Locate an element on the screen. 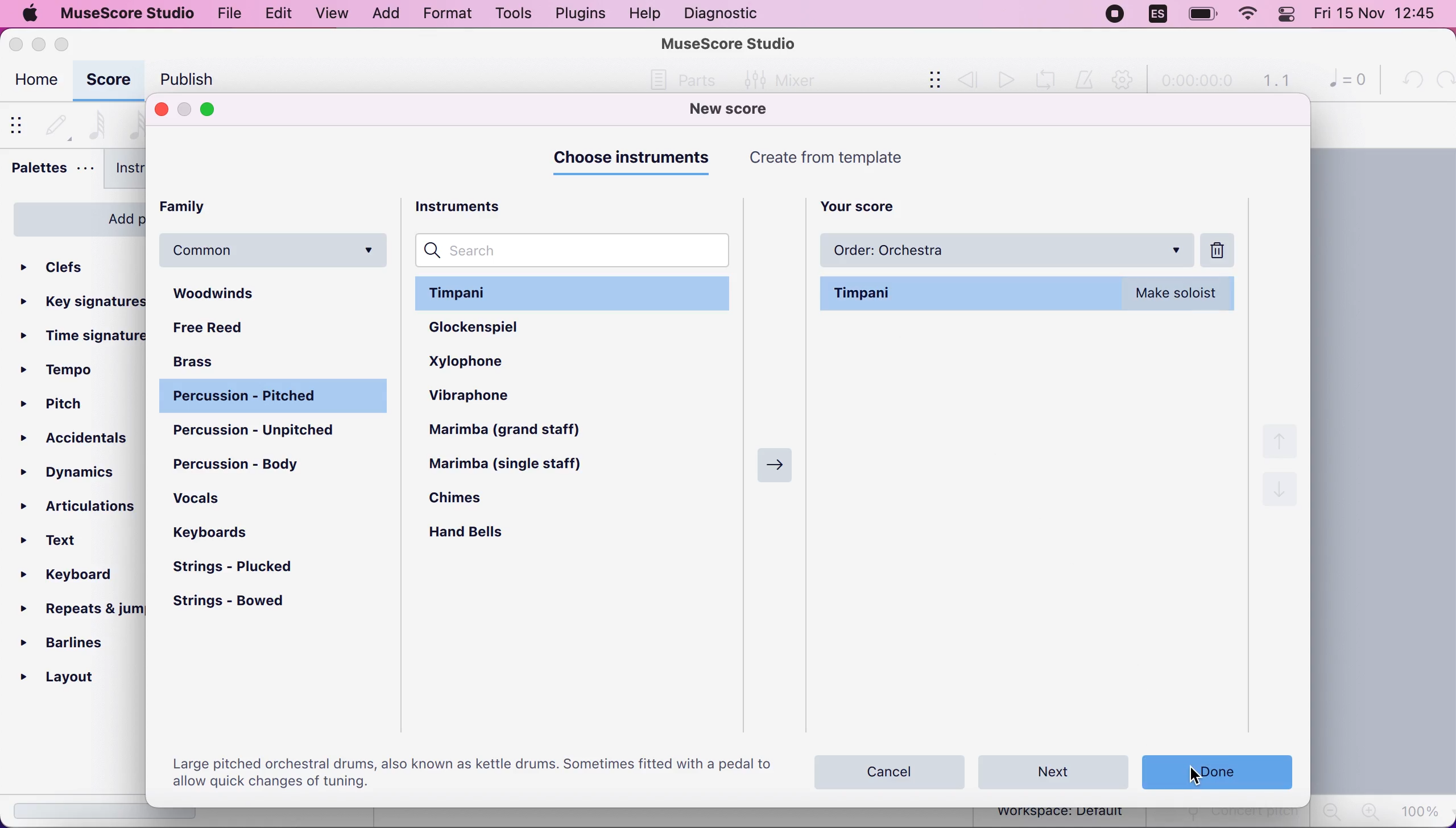 The height and width of the screenshot is (828, 1456). next is located at coordinates (1054, 771).